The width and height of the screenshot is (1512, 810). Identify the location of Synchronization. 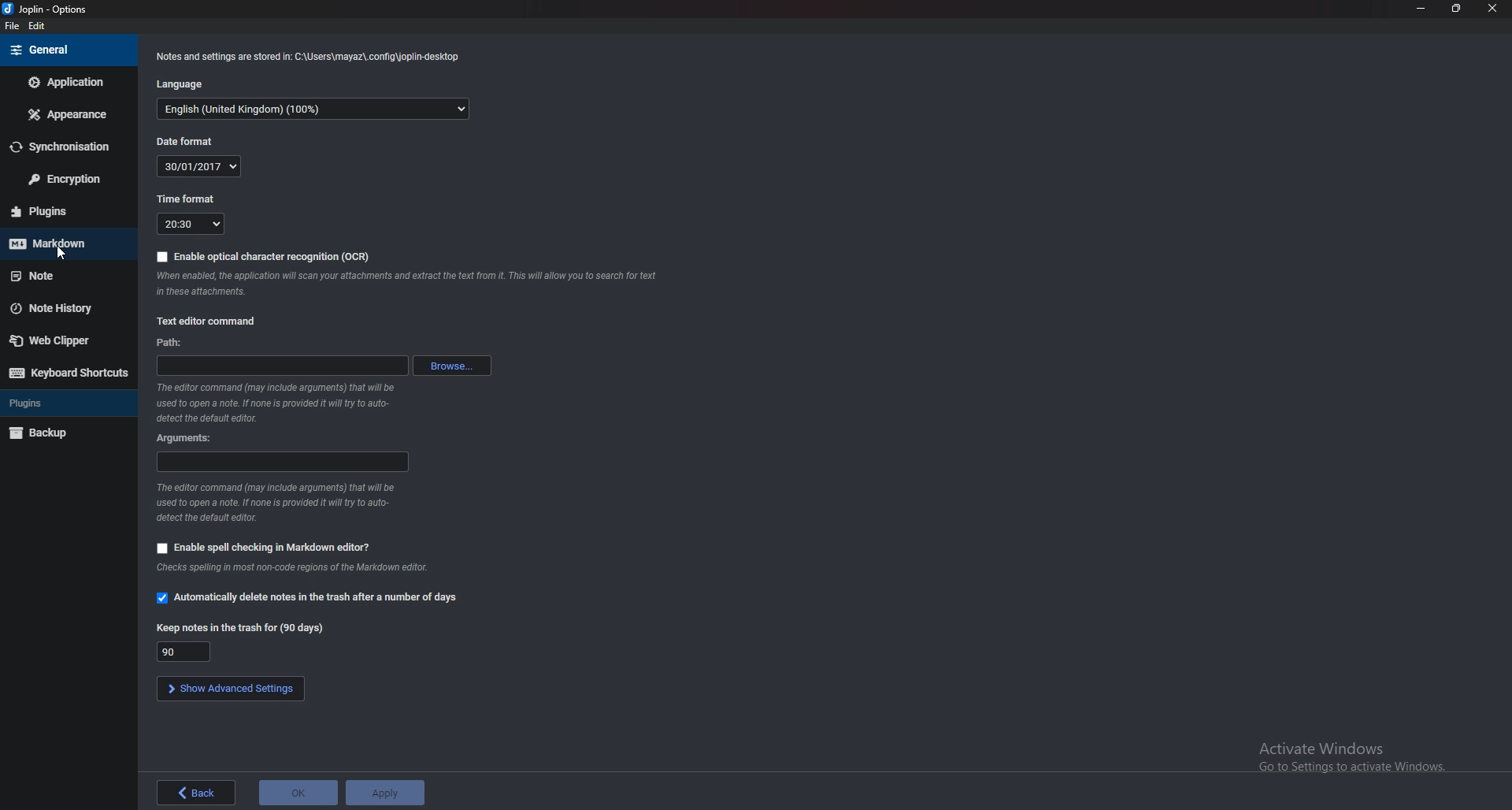
(66, 147).